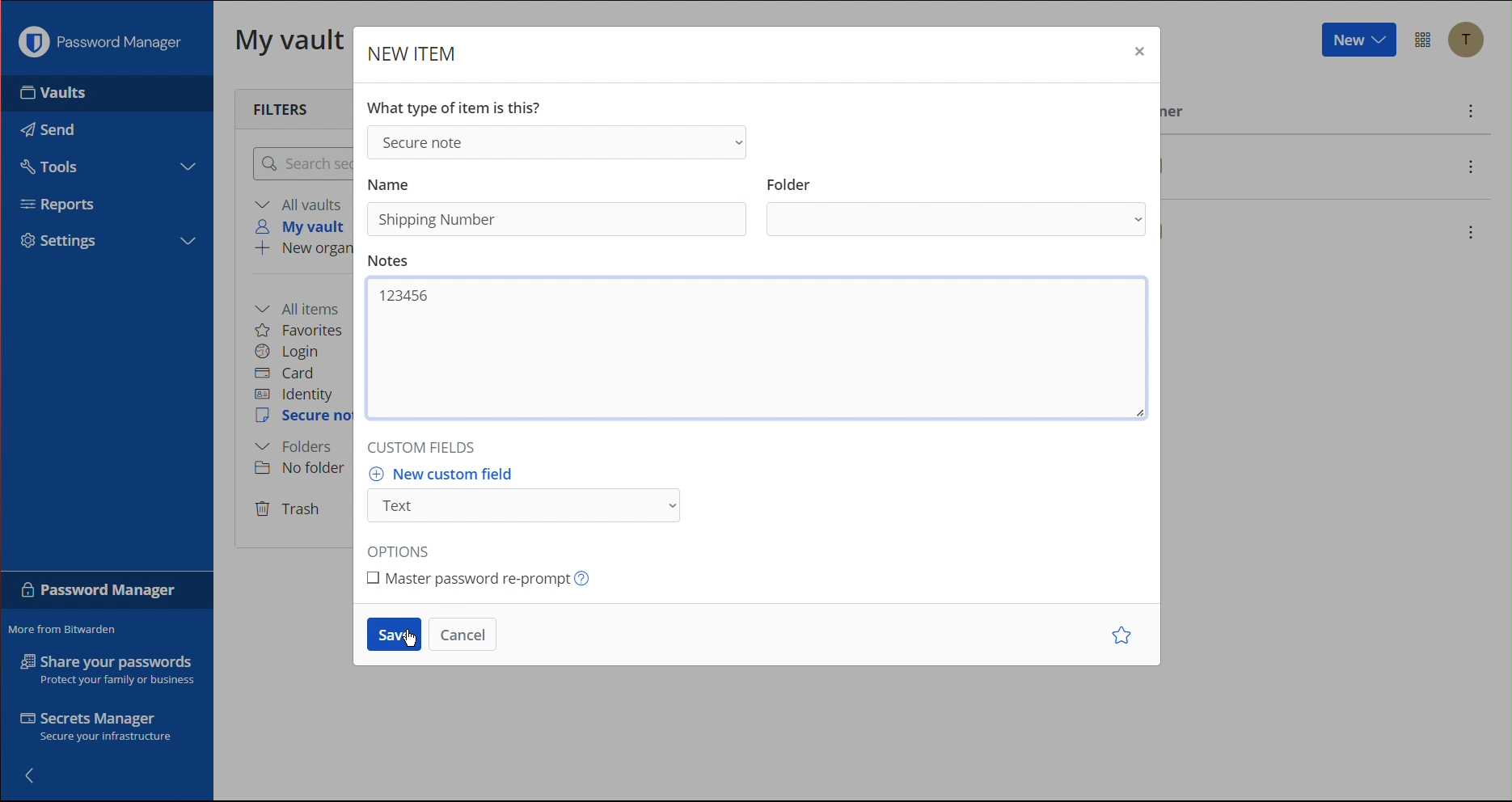  What do you see at coordinates (538, 495) in the screenshot?
I see `New custom field` at bounding box center [538, 495].